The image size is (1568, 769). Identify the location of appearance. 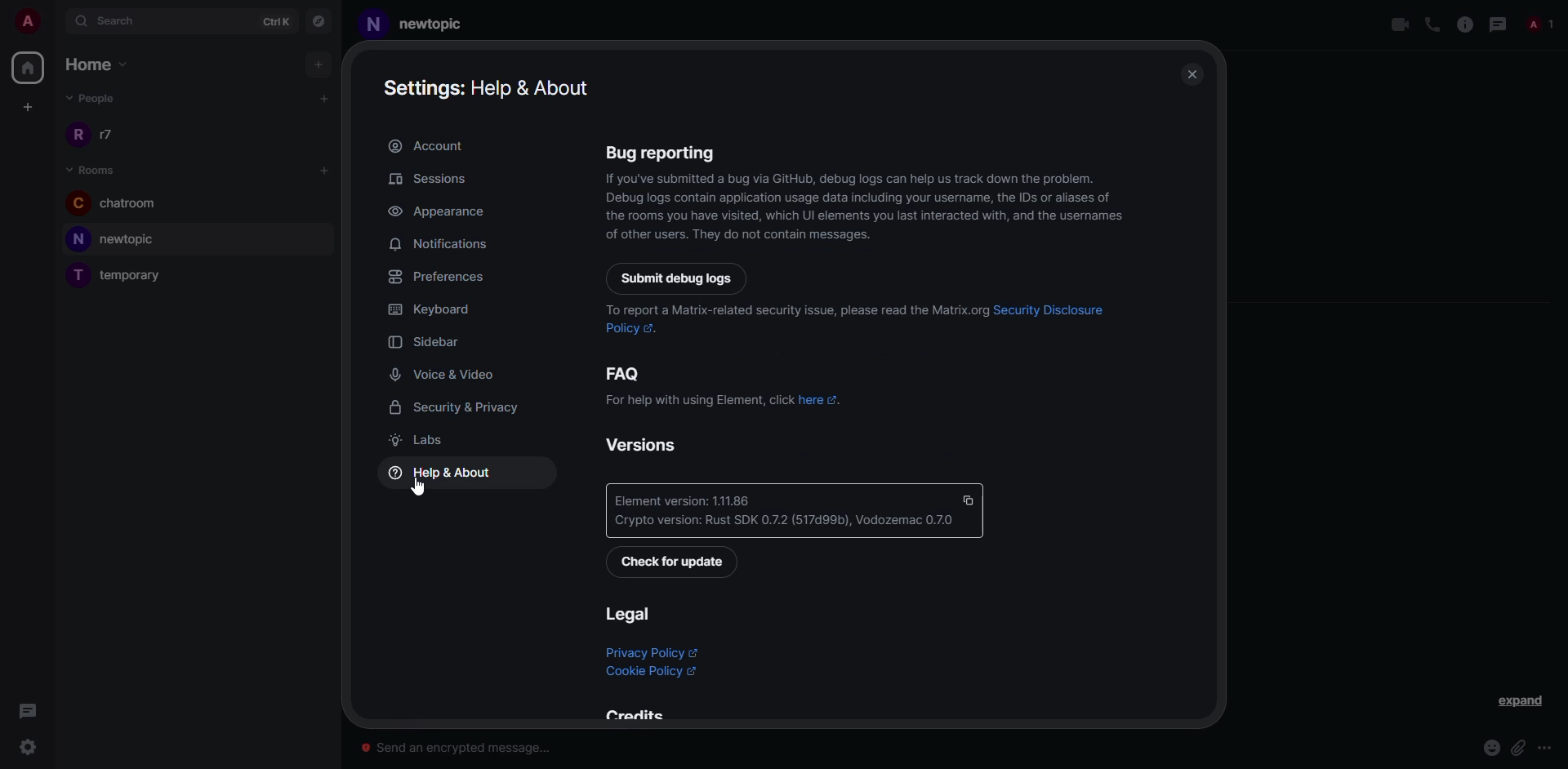
(439, 212).